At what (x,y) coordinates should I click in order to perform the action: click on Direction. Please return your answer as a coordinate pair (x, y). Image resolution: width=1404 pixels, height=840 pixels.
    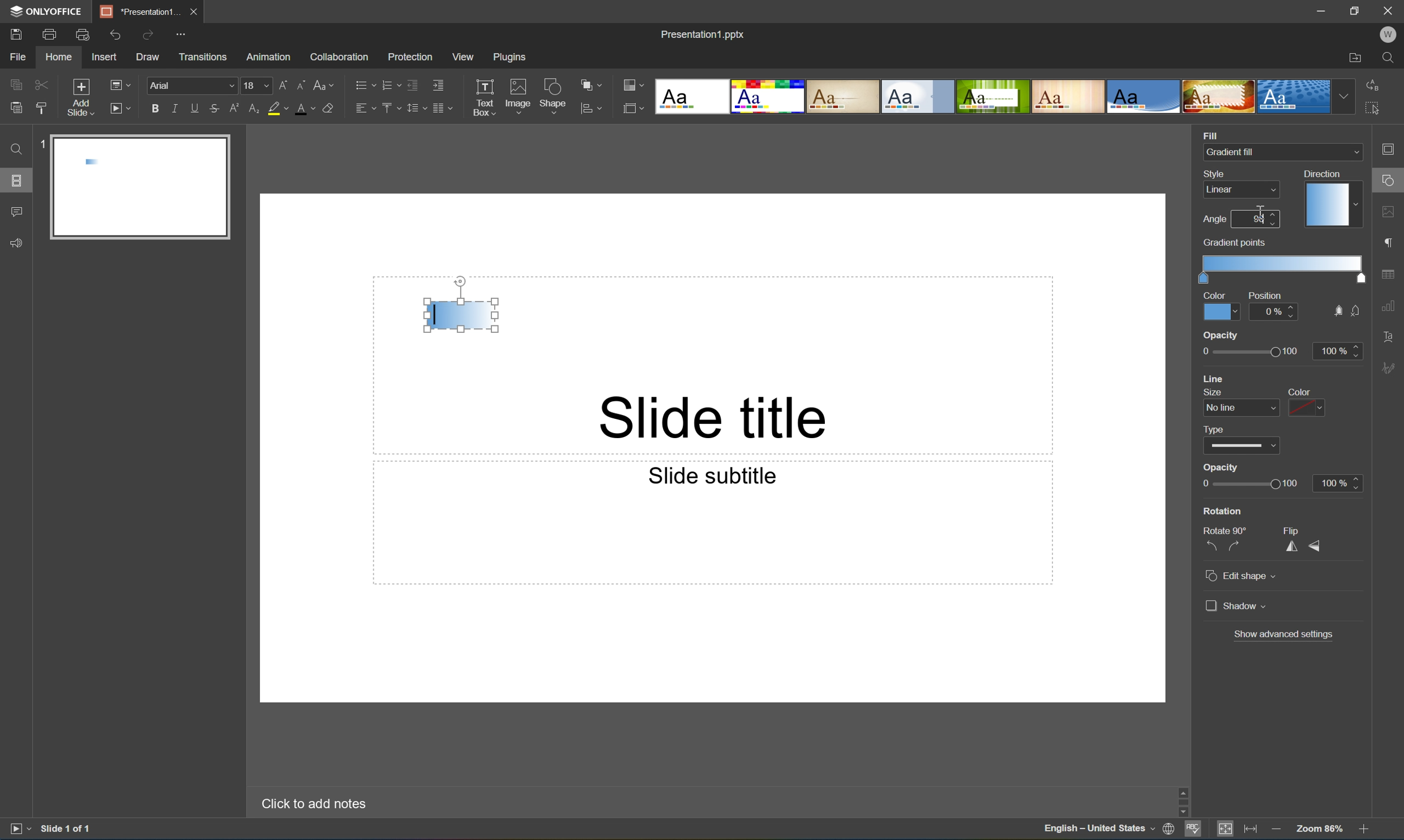
    Looking at the image, I should click on (1321, 173).